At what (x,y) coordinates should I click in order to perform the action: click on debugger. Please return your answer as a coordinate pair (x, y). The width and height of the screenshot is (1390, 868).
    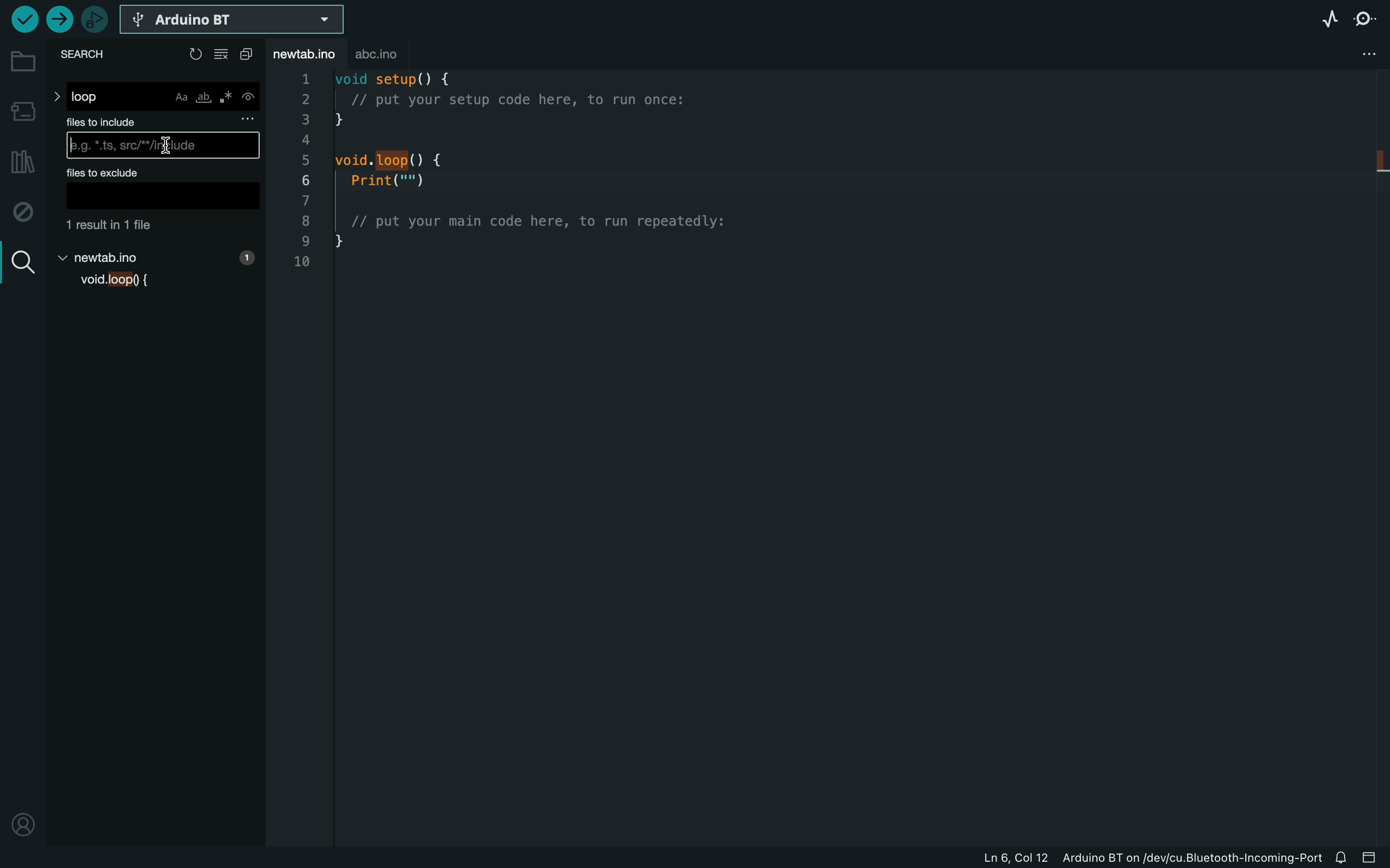
    Looking at the image, I should click on (96, 21).